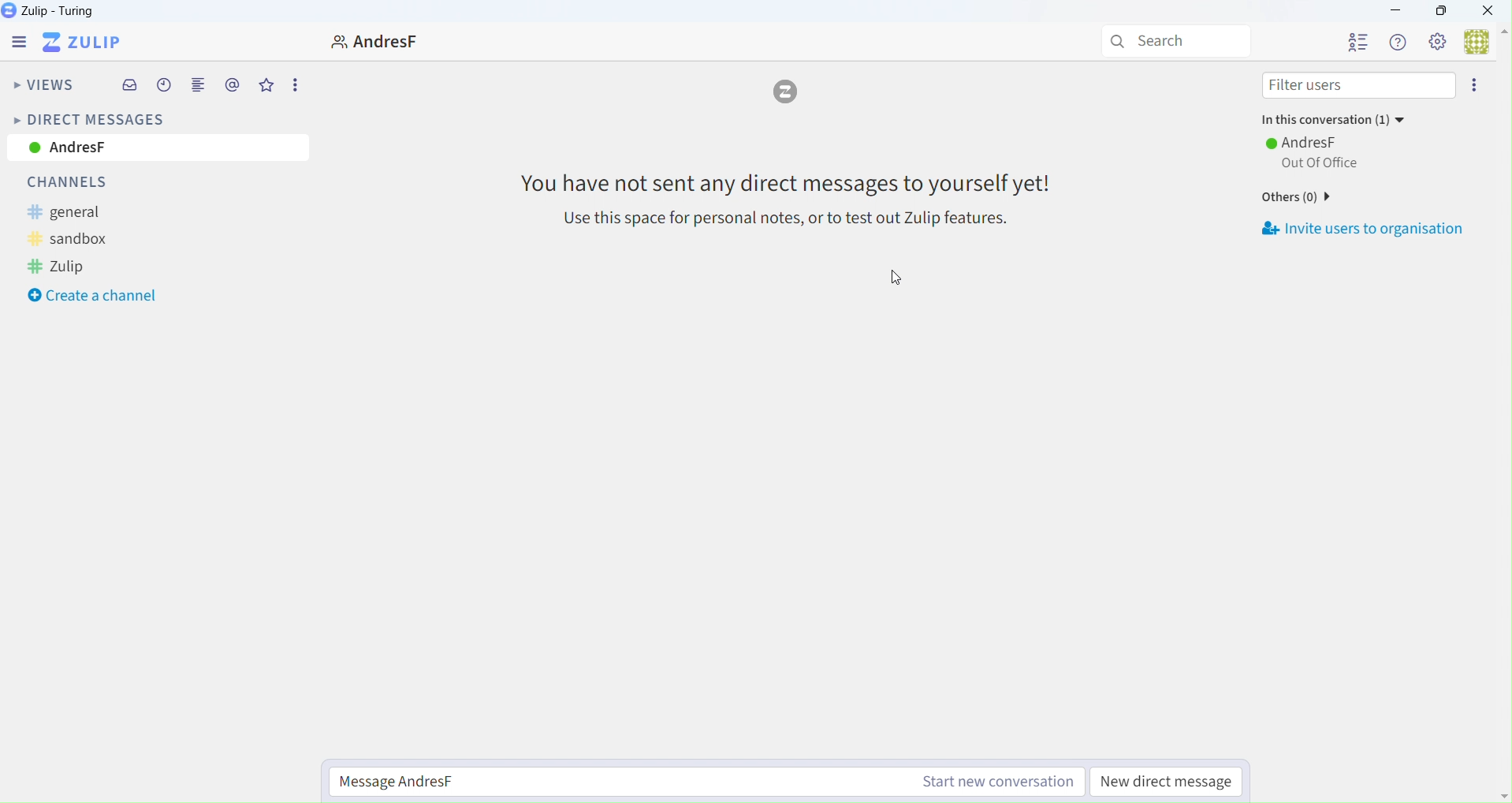 The width and height of the screenshot is (1512, 803). I want to click on More, so click(1475, 87).